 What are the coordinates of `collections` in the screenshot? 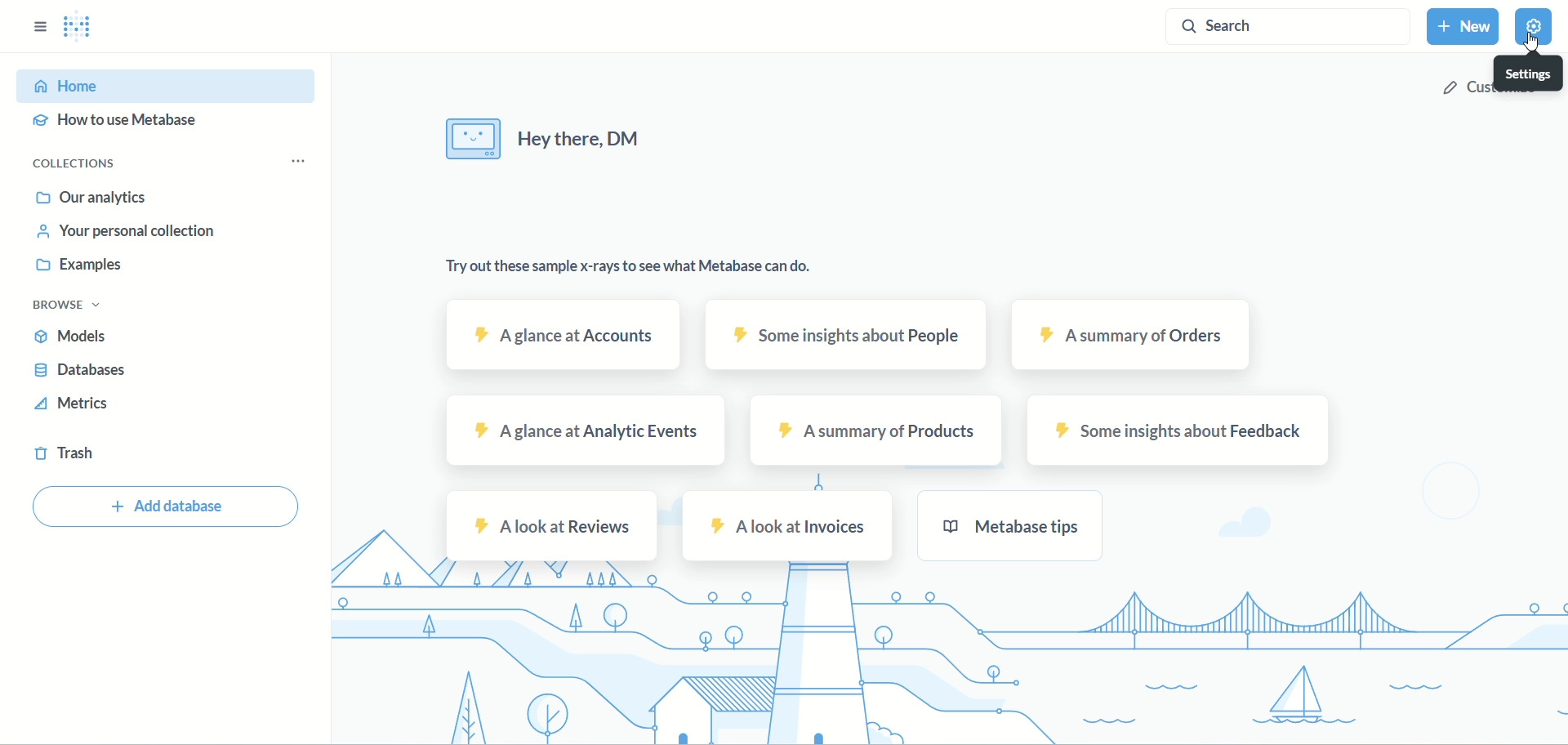 It's located at (84, 165).